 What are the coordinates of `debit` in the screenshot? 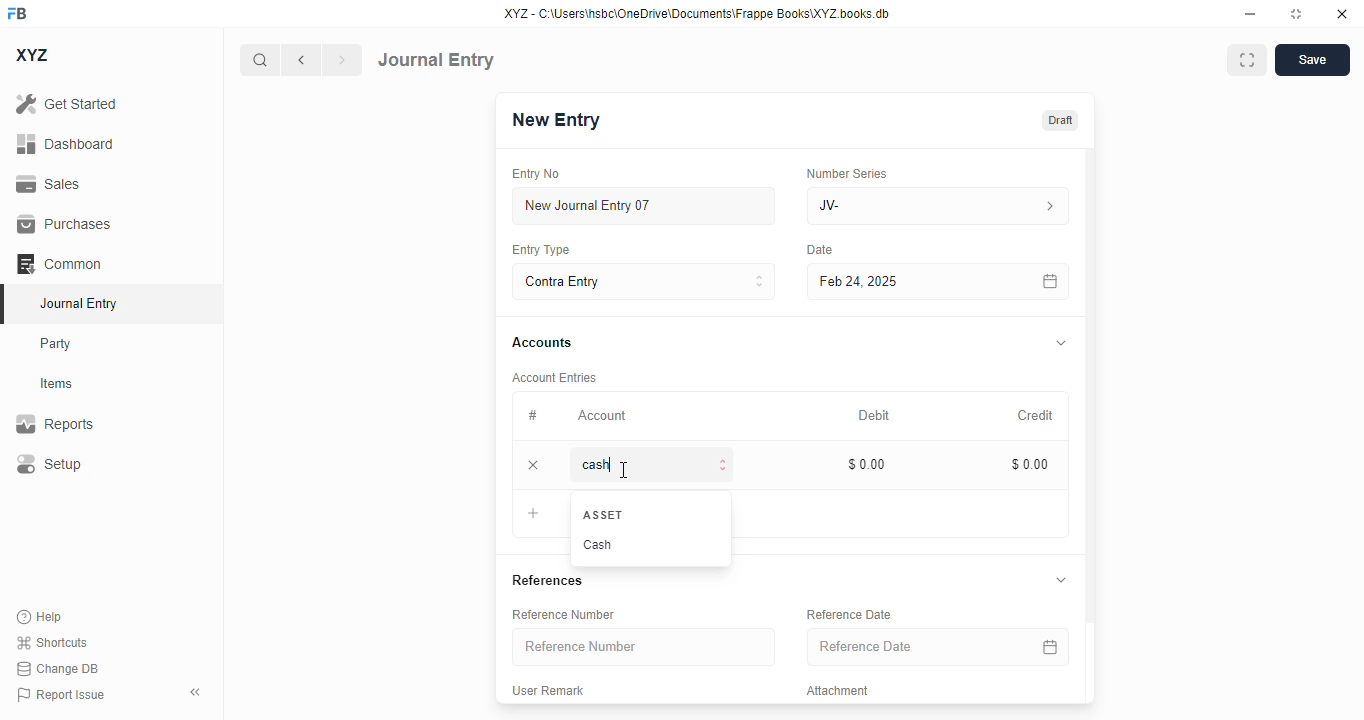 It's located at (875, 415).